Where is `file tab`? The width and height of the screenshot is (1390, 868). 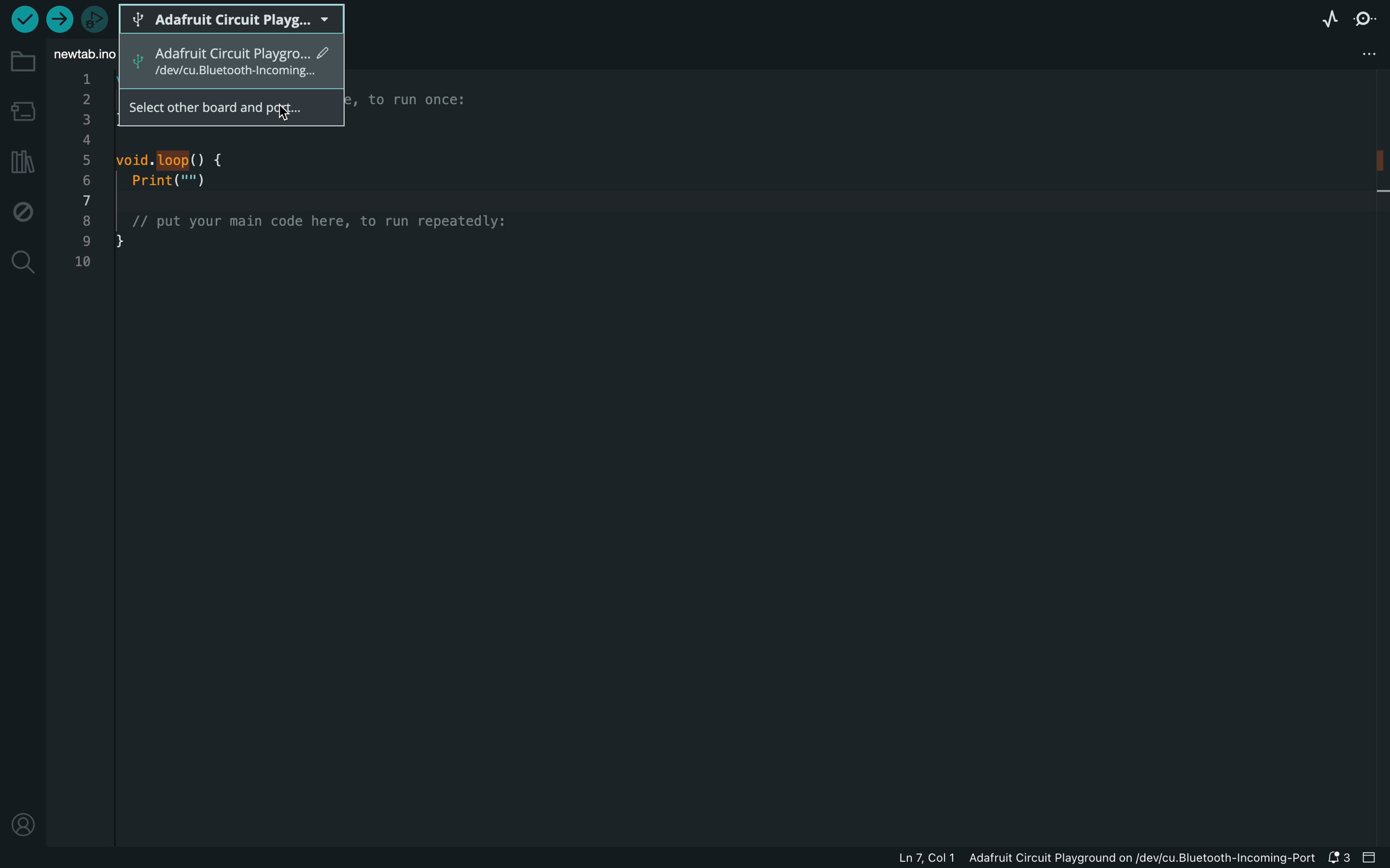
file tab is located at coordinates (81, 55).